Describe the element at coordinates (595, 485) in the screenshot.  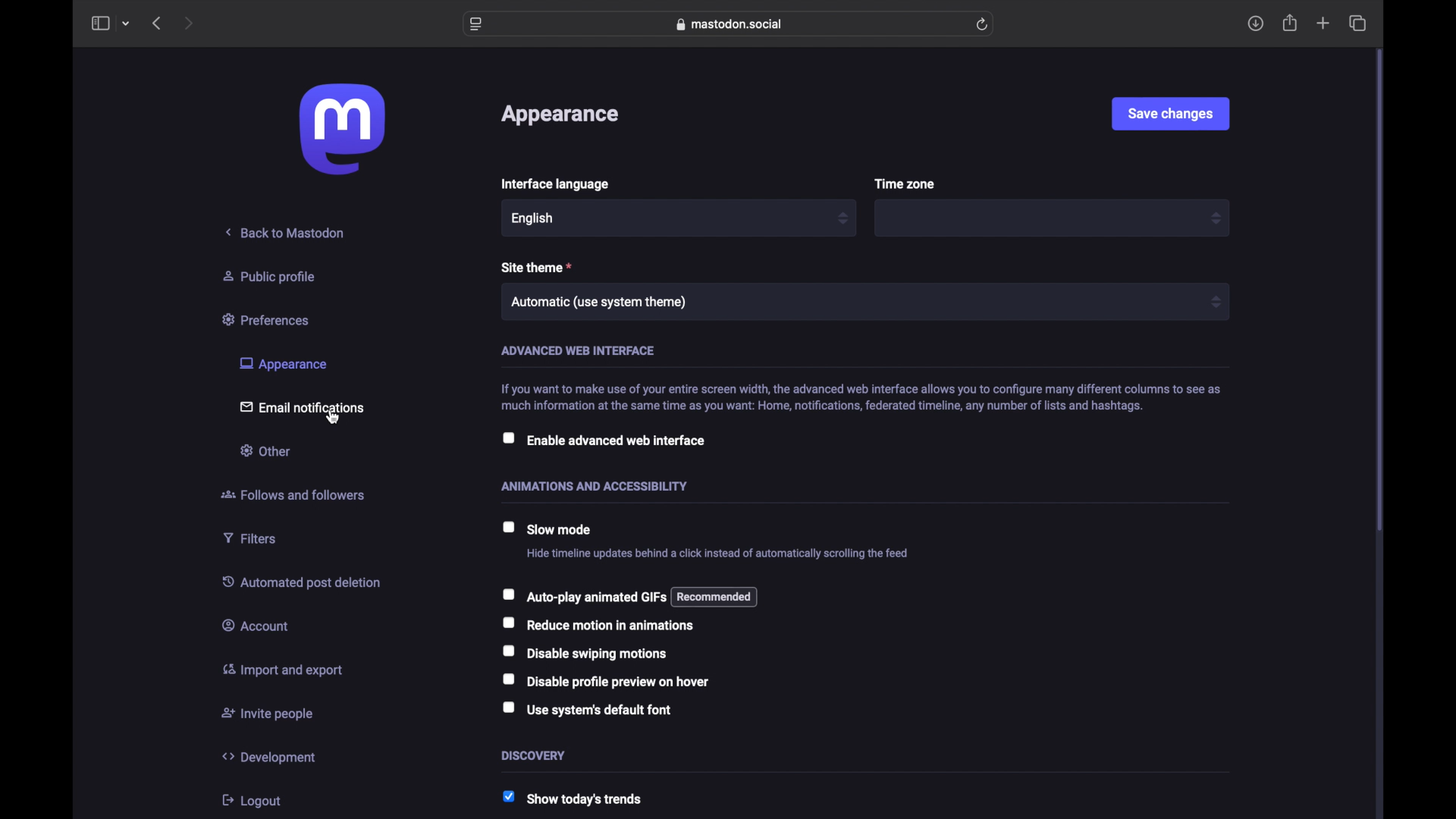
I see `animationsandacessibility` at that location.